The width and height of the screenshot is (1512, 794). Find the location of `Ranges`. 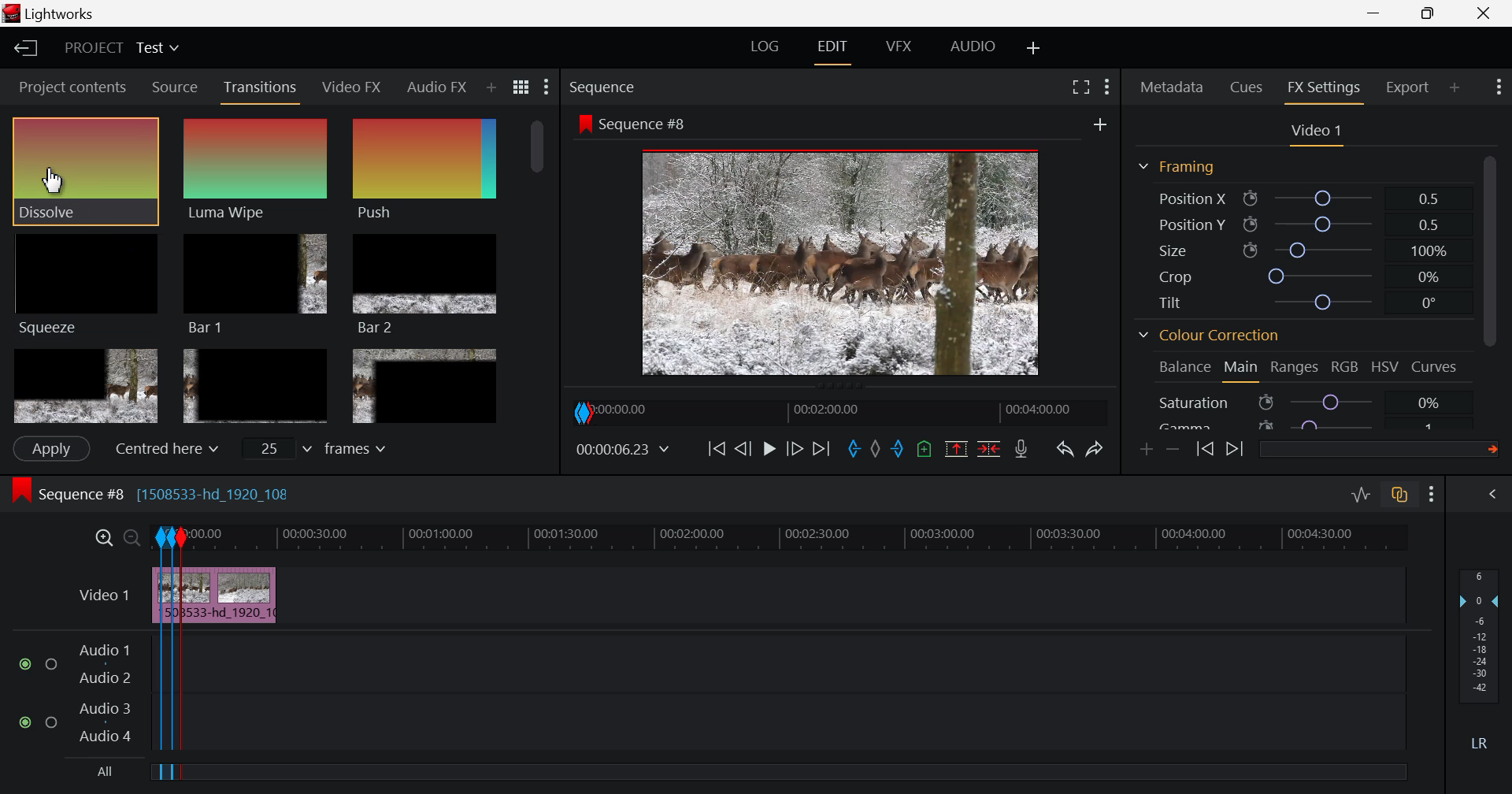

Ranges is located at coordinates (1298, 369).